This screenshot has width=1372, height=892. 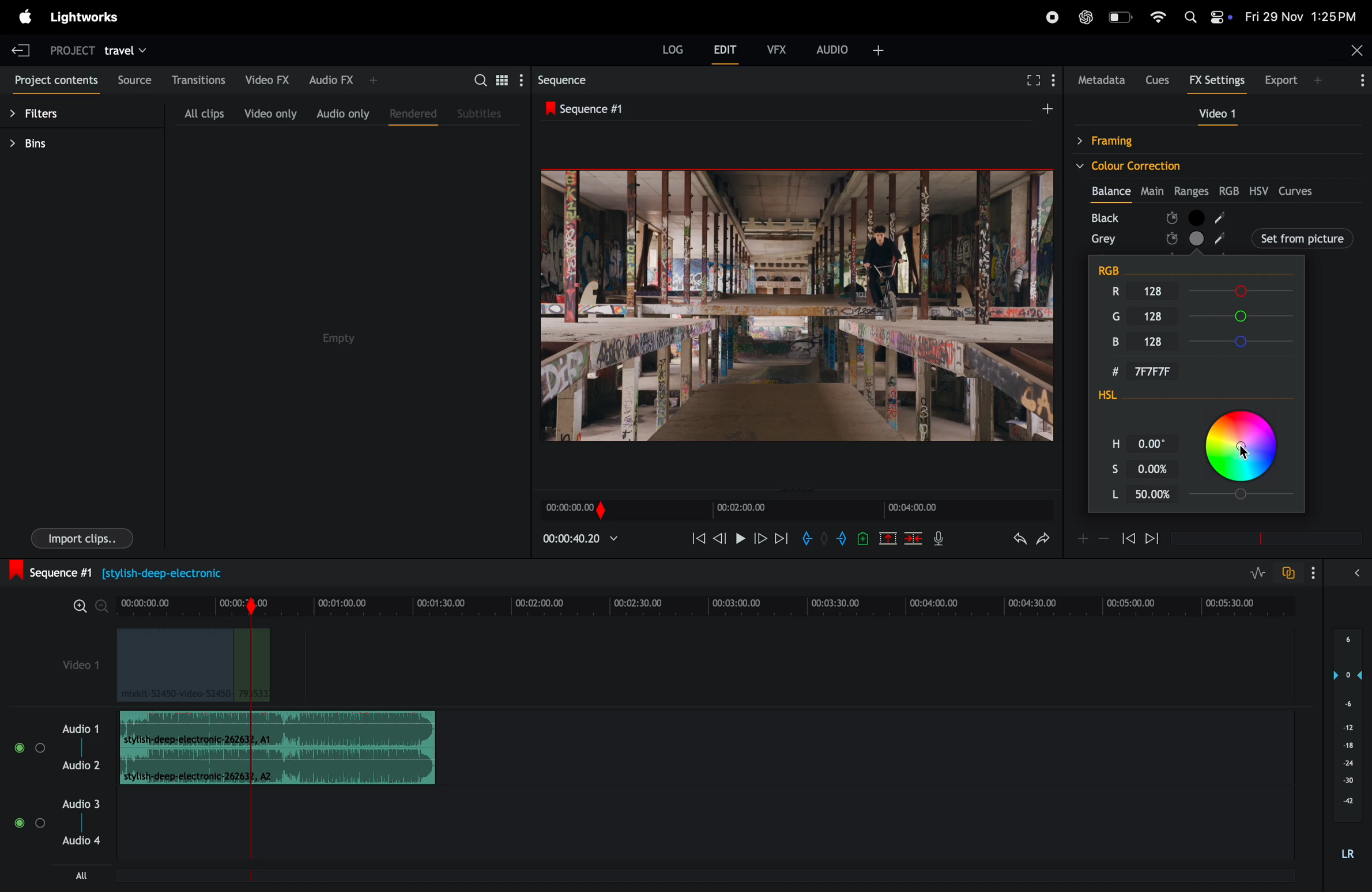 I want to click on zoom in zoom out, so click(x=1092, y=538).